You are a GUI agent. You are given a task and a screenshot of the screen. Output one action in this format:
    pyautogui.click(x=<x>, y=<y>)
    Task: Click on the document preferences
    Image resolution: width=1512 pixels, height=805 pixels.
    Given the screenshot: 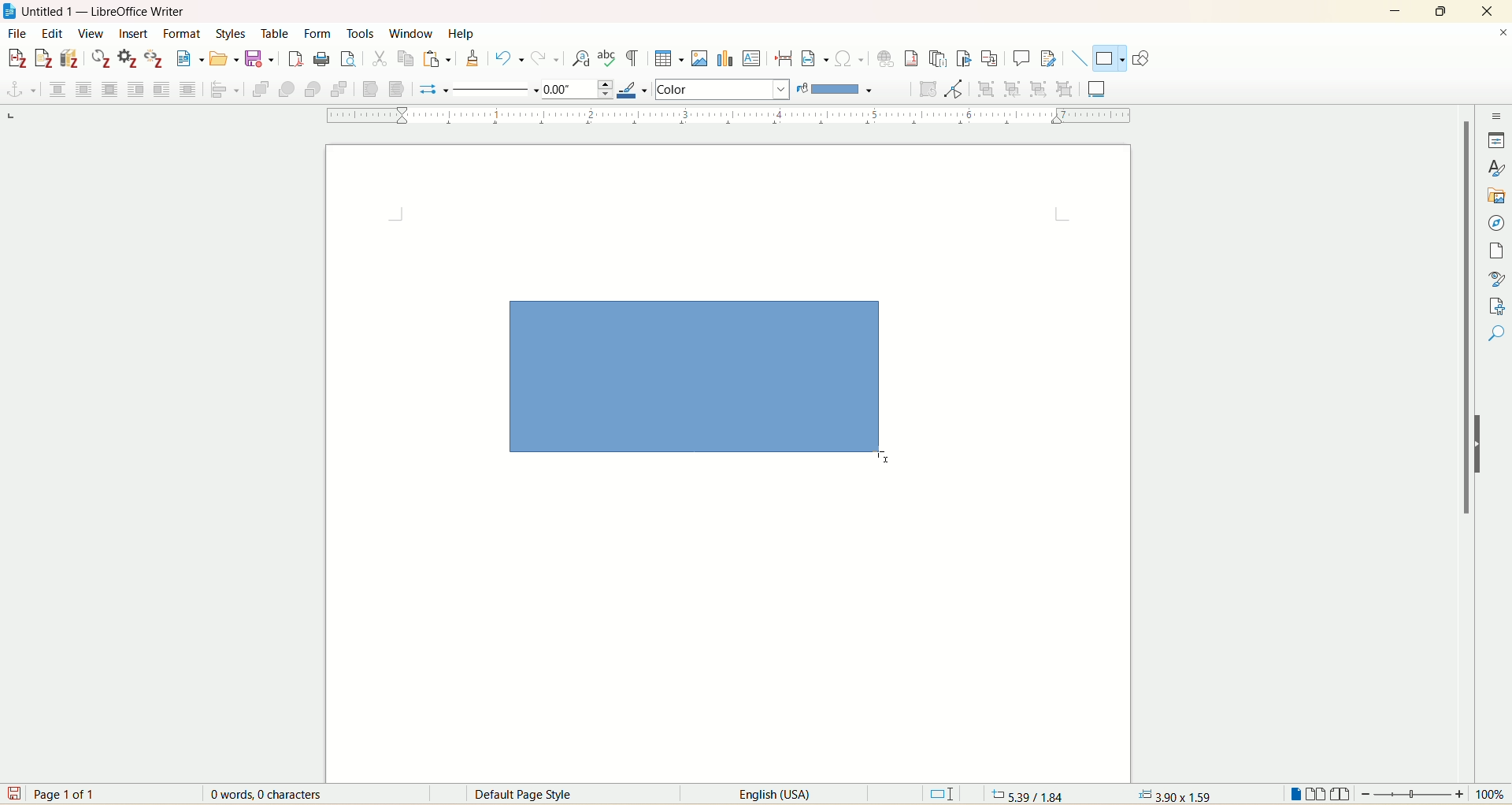 What is the action you would take?
    pyautogui.click(x=127, y=58)
    